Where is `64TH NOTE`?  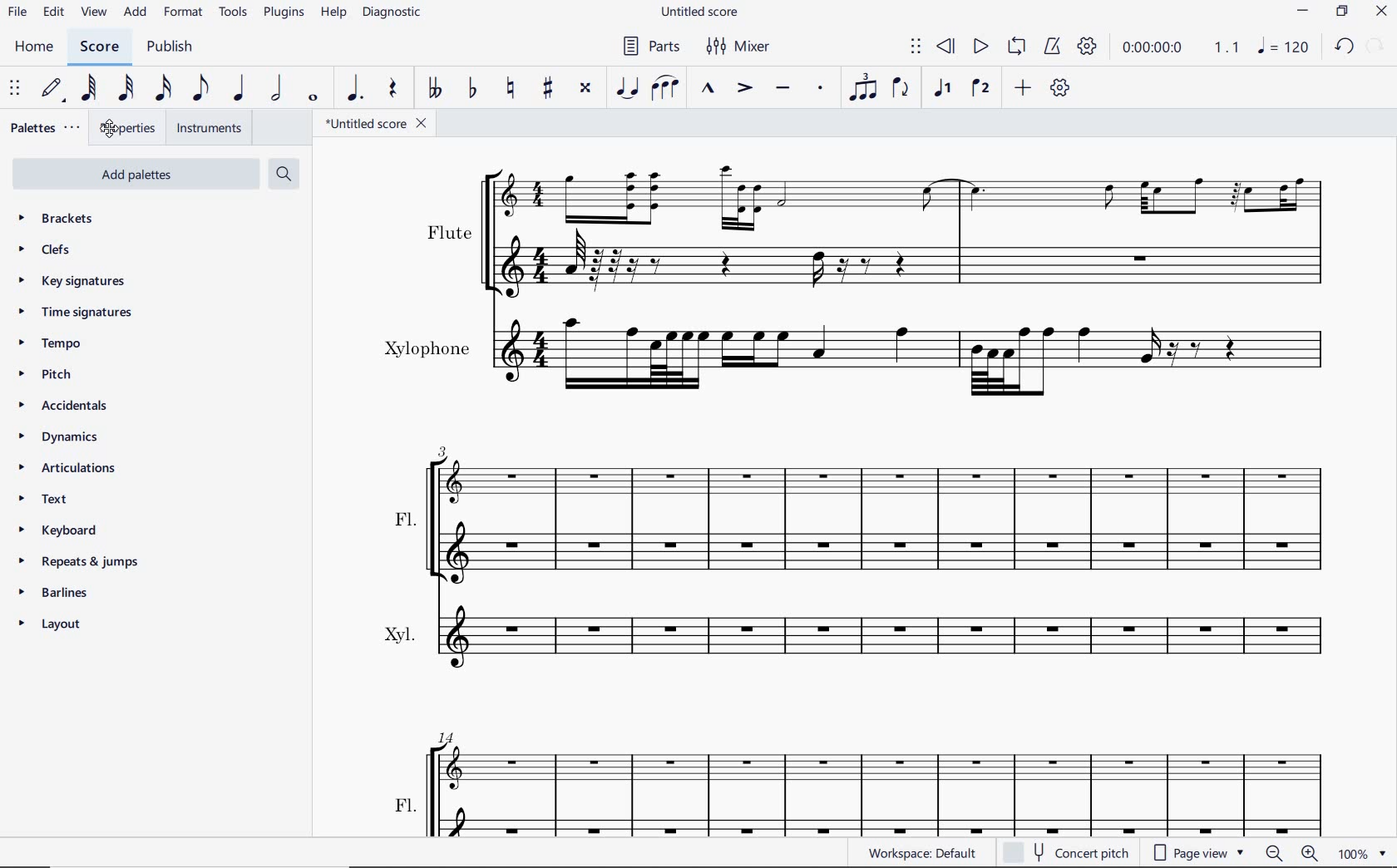 64TH NOTE is located at coordinates (90, 89).